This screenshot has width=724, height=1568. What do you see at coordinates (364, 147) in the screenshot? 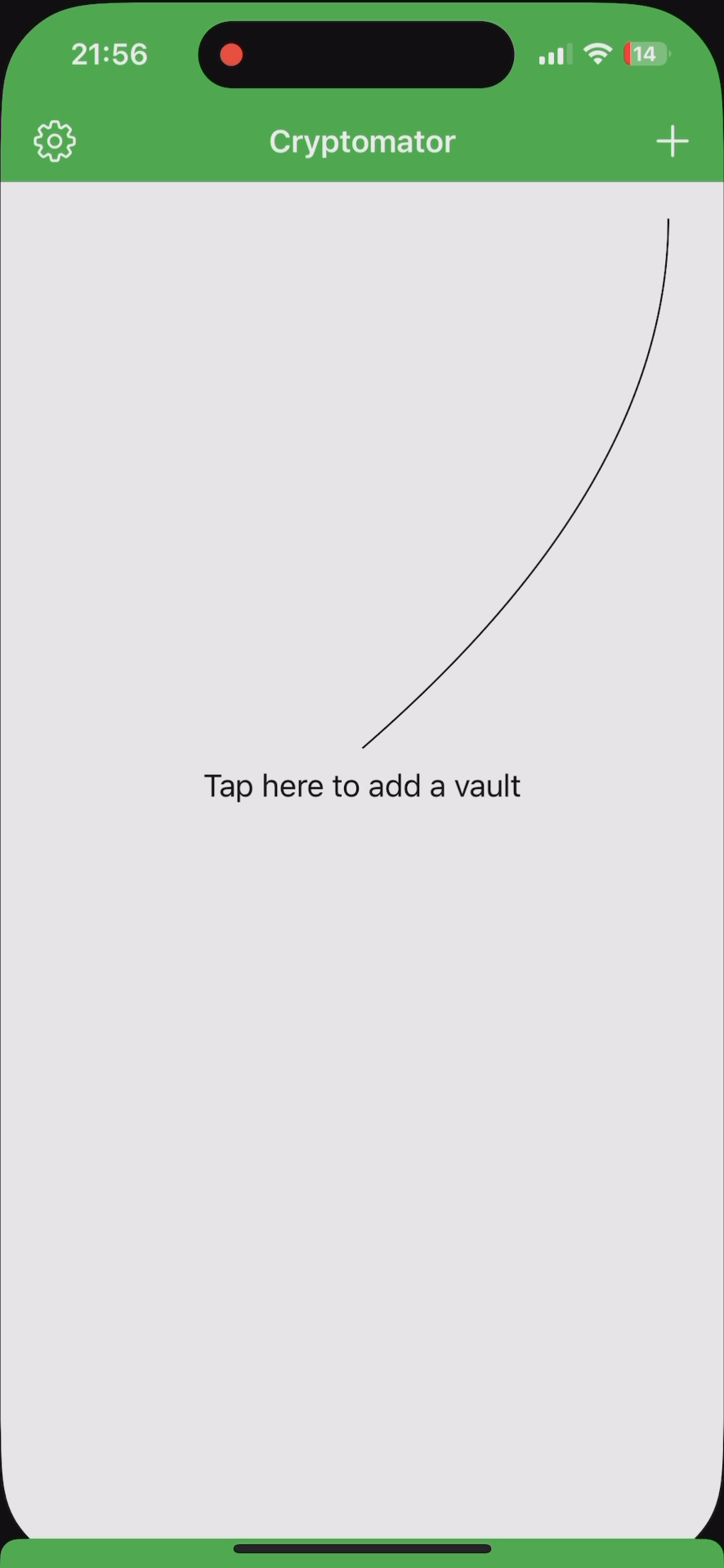
I see `Crytomator` at bounding box center [364, 147].